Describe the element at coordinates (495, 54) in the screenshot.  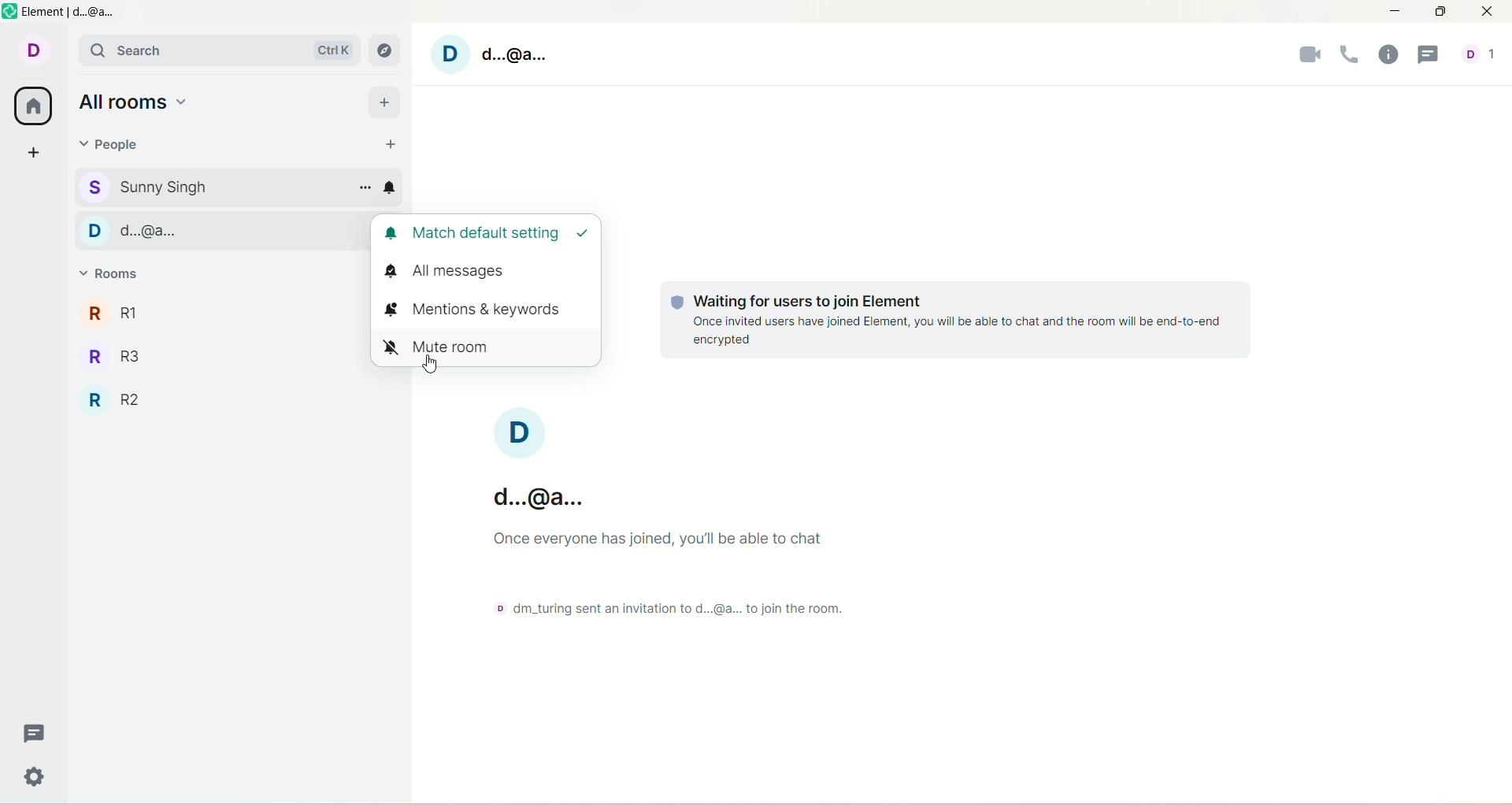
I see `account` at that location.